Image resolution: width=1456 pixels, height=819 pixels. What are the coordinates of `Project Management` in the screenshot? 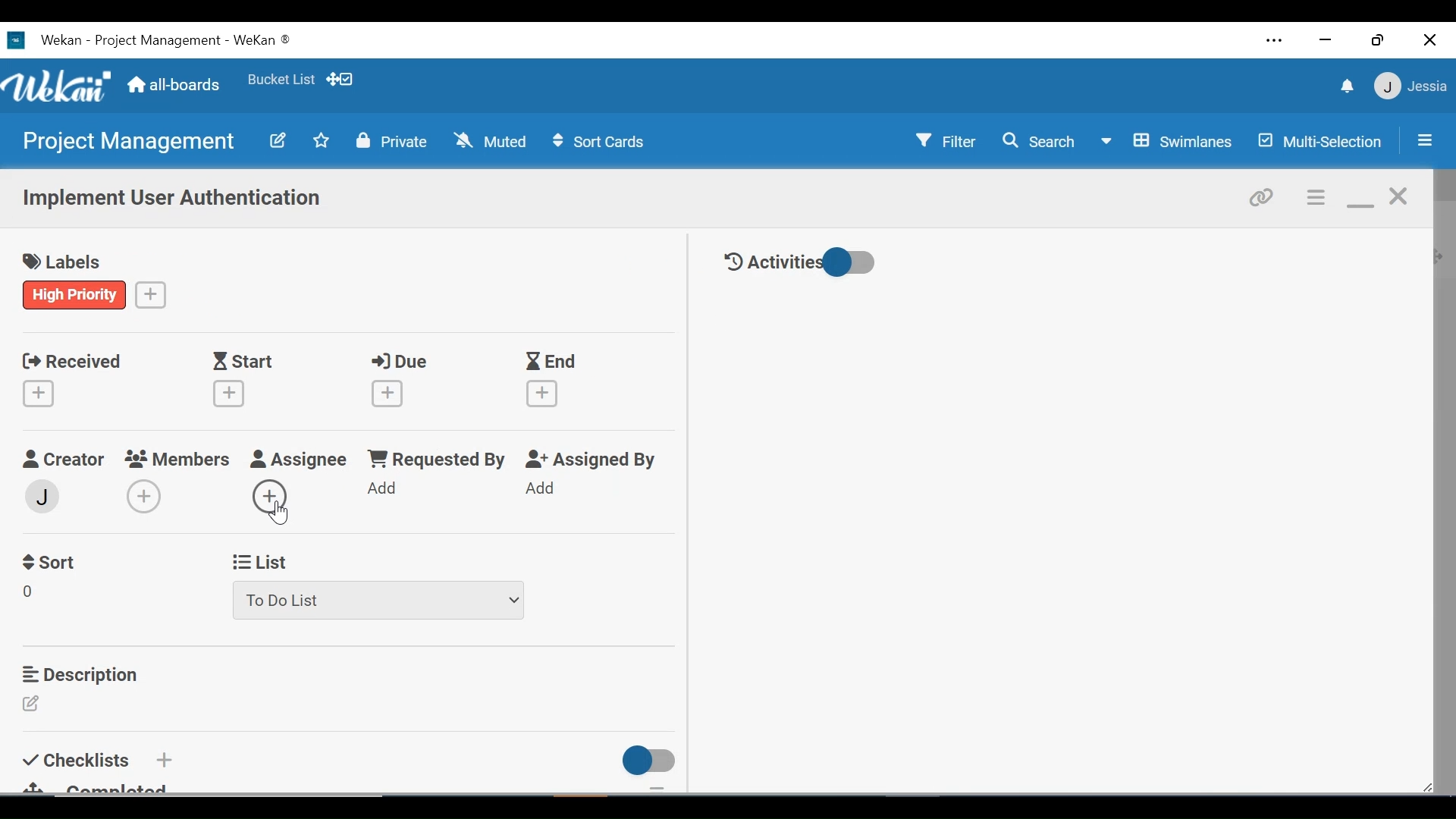 It's located at (126, 142).